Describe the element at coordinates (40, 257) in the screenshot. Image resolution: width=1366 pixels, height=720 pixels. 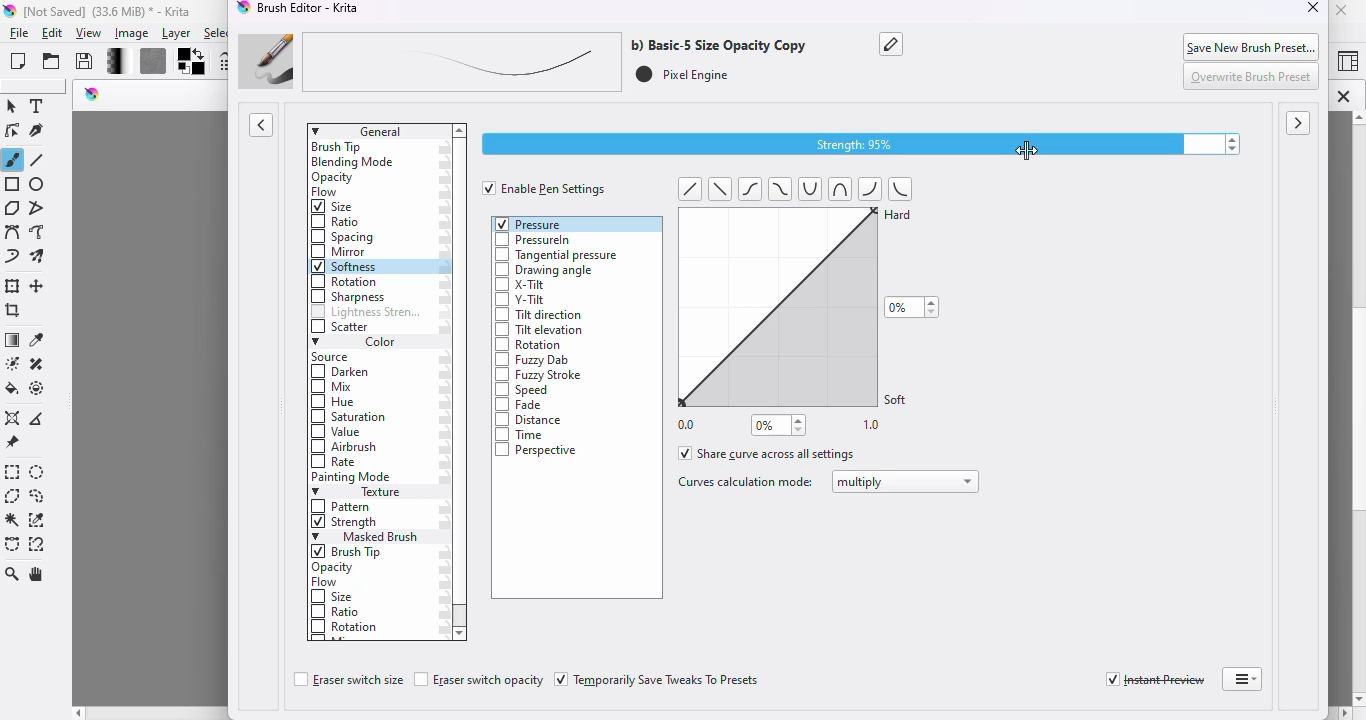
I see `multibrush tool` at that location.